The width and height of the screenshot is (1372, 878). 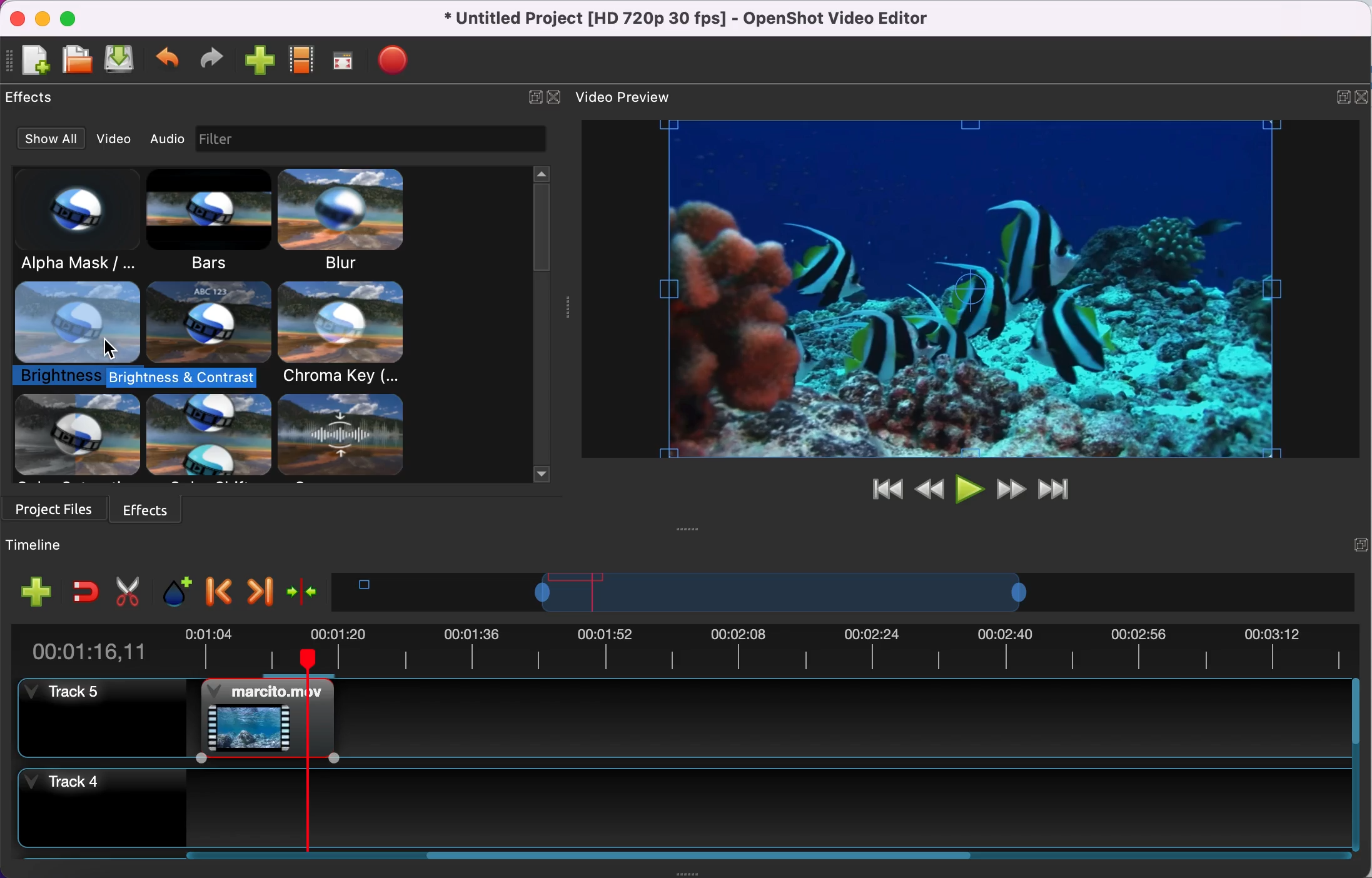 I want to click on play, so click(x=969, y=489).